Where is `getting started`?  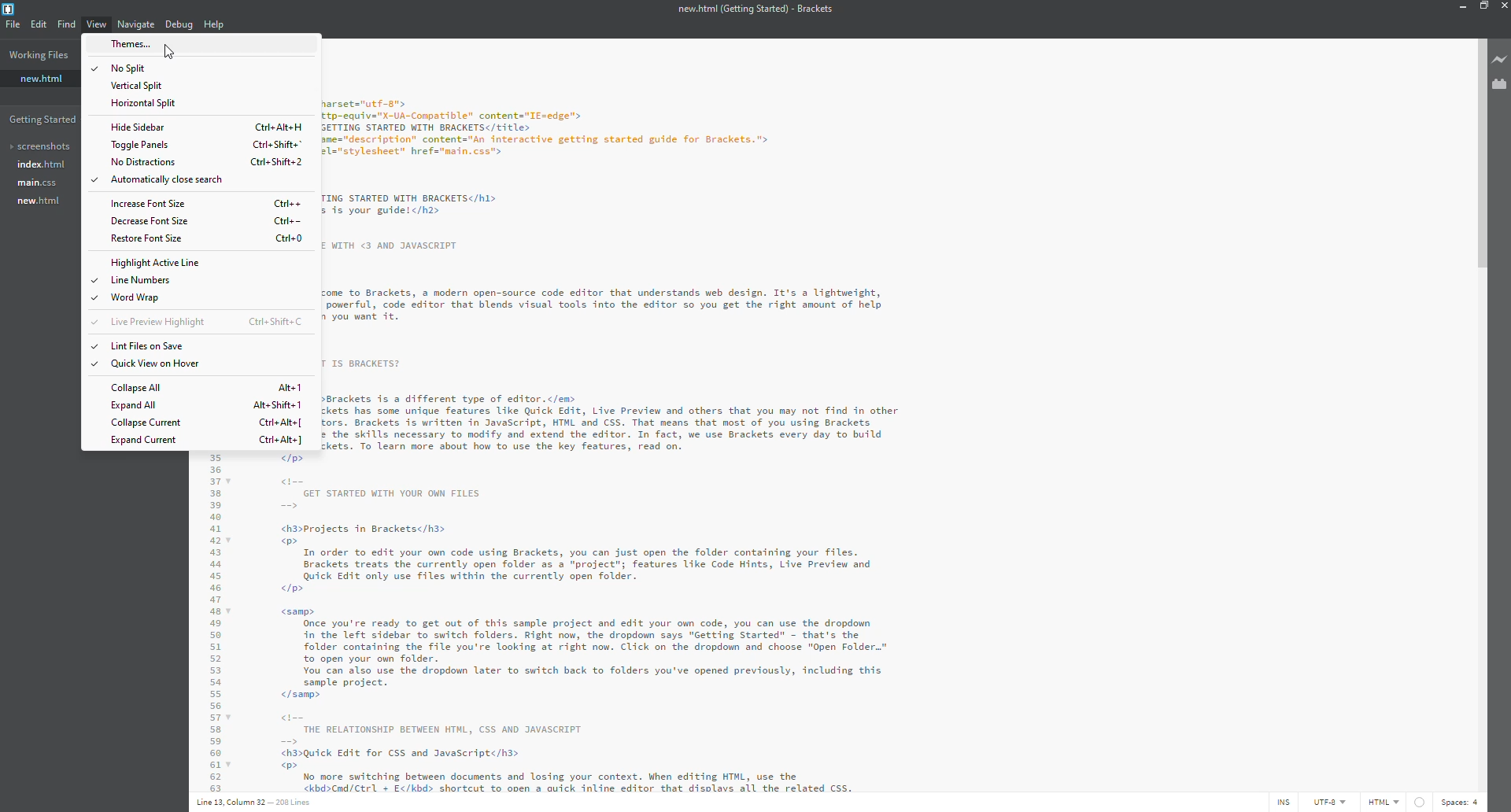 getting started is located at coordinates (48, 120).